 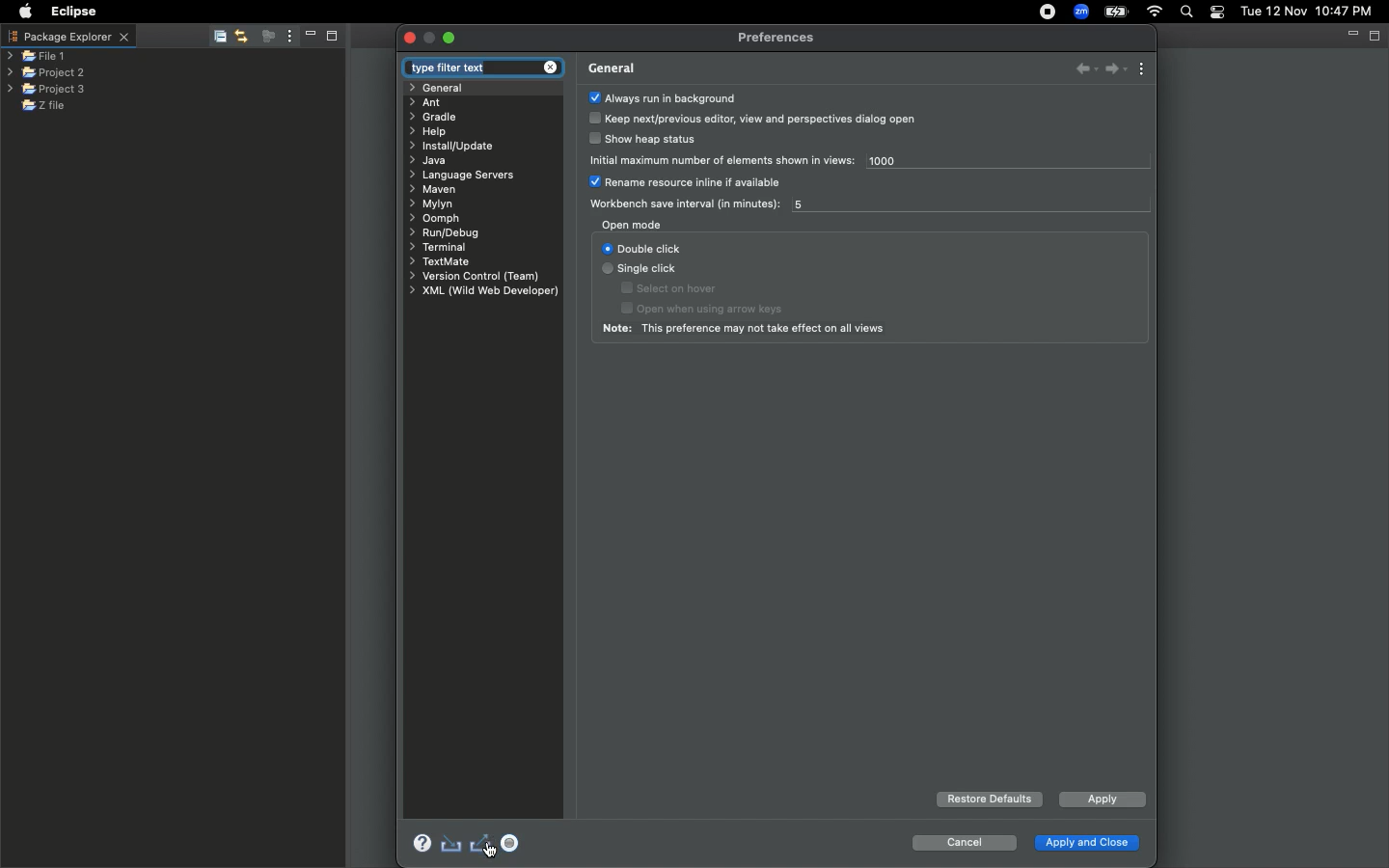 I want to click on Ant, so click(x=426, y=102).